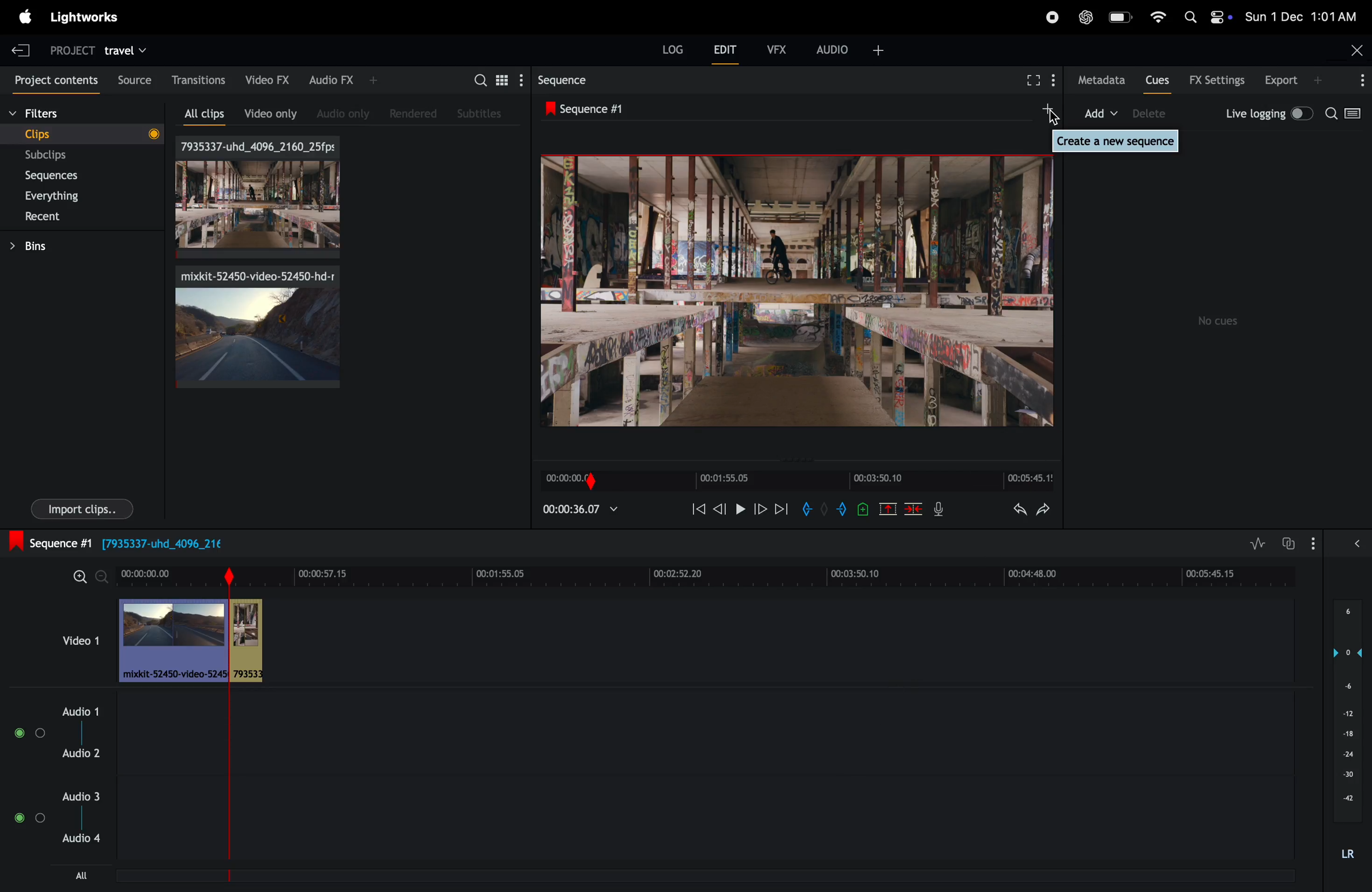  Describe the element at coordinates (1216, 80) in the screenshot. I see `Fx settings` at that location.